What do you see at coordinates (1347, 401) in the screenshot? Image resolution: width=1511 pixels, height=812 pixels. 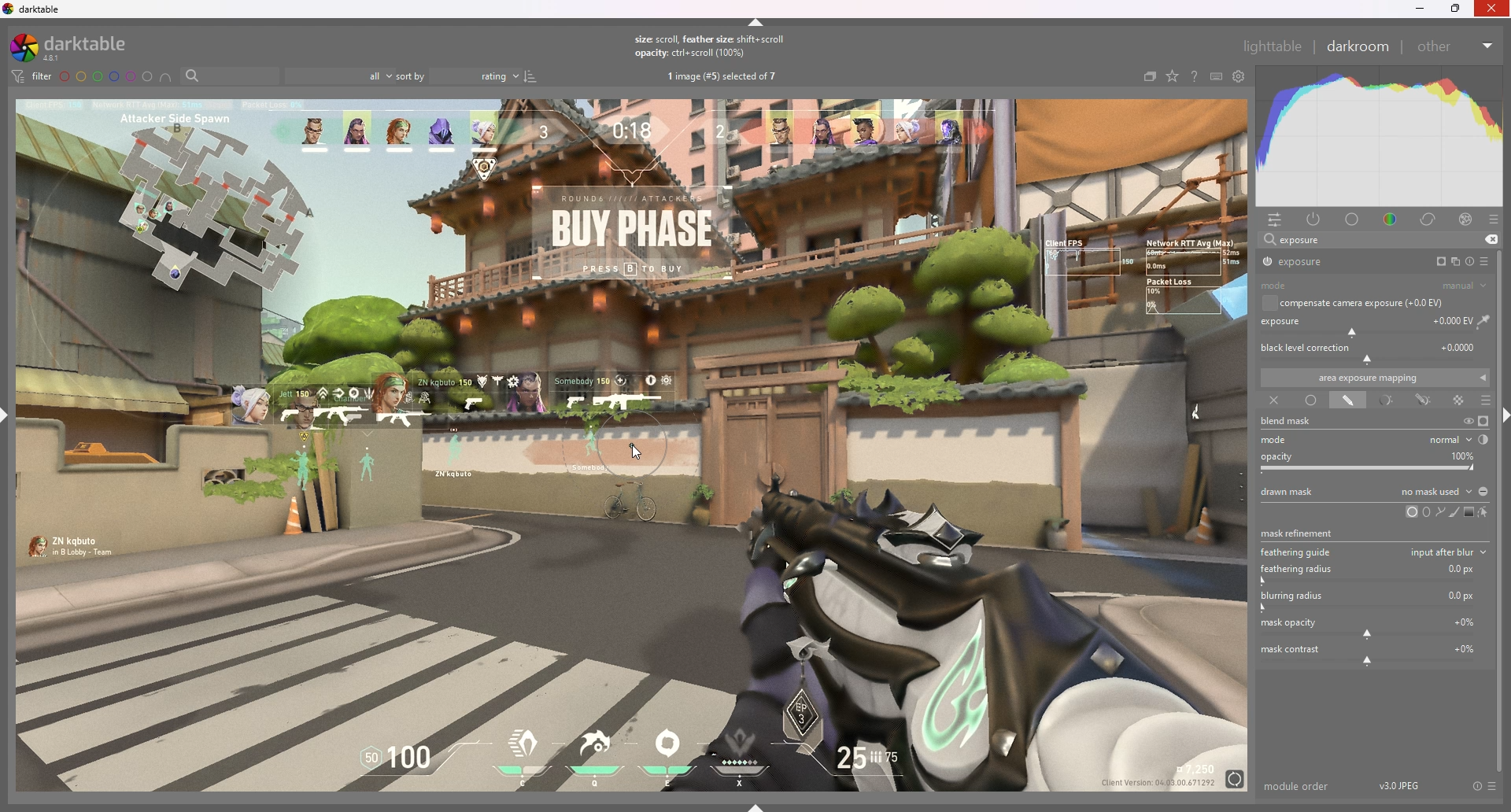 I see `drawn mask` at bounding box center [1347, 401].